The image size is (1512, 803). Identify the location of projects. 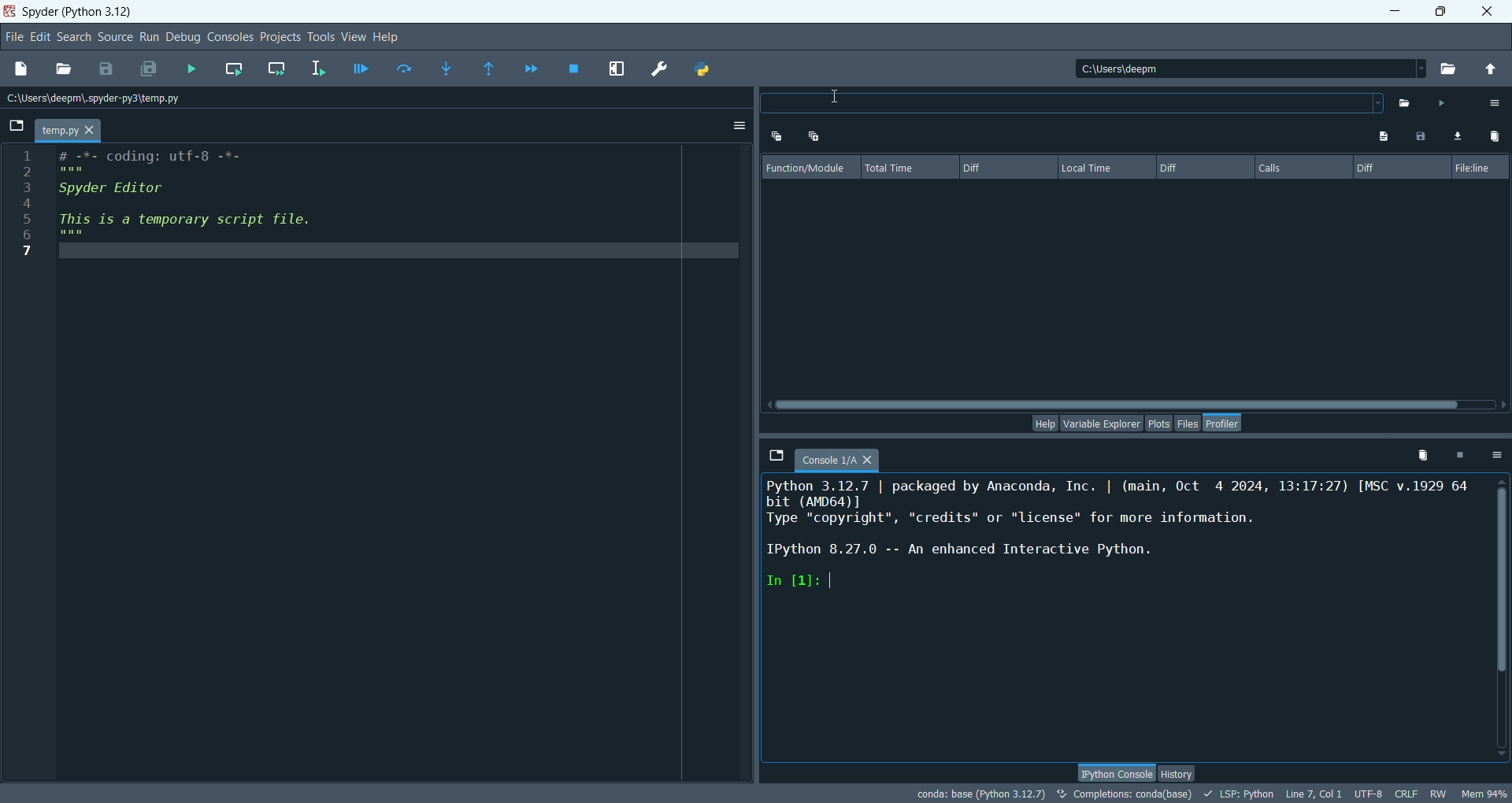
(283, 36).